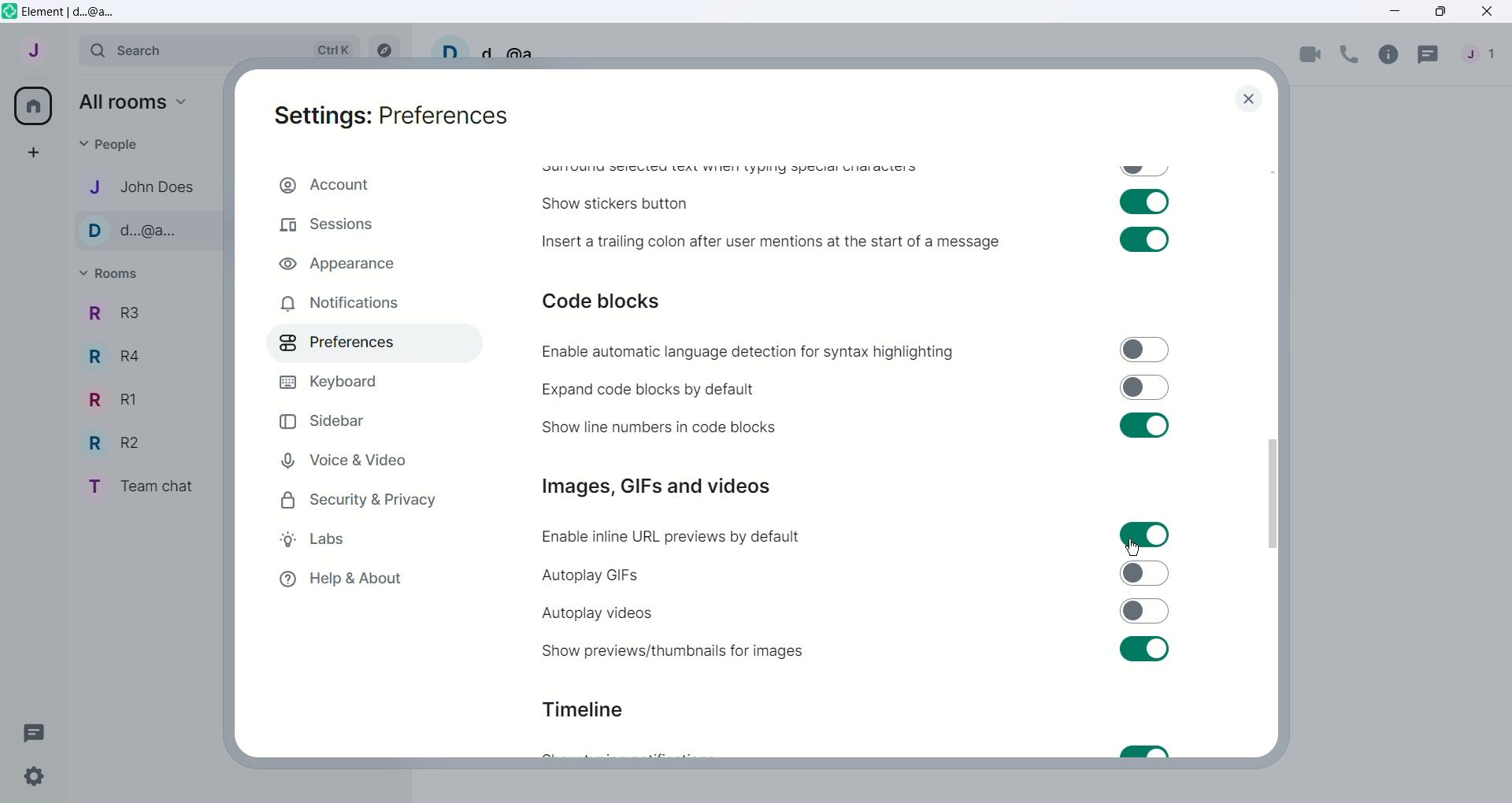 This screenshot has height=803, width=1512. What do you see at coordinates (113, 274) in the screenshot?
I see `Rooms` at bounding box center [113, 274].